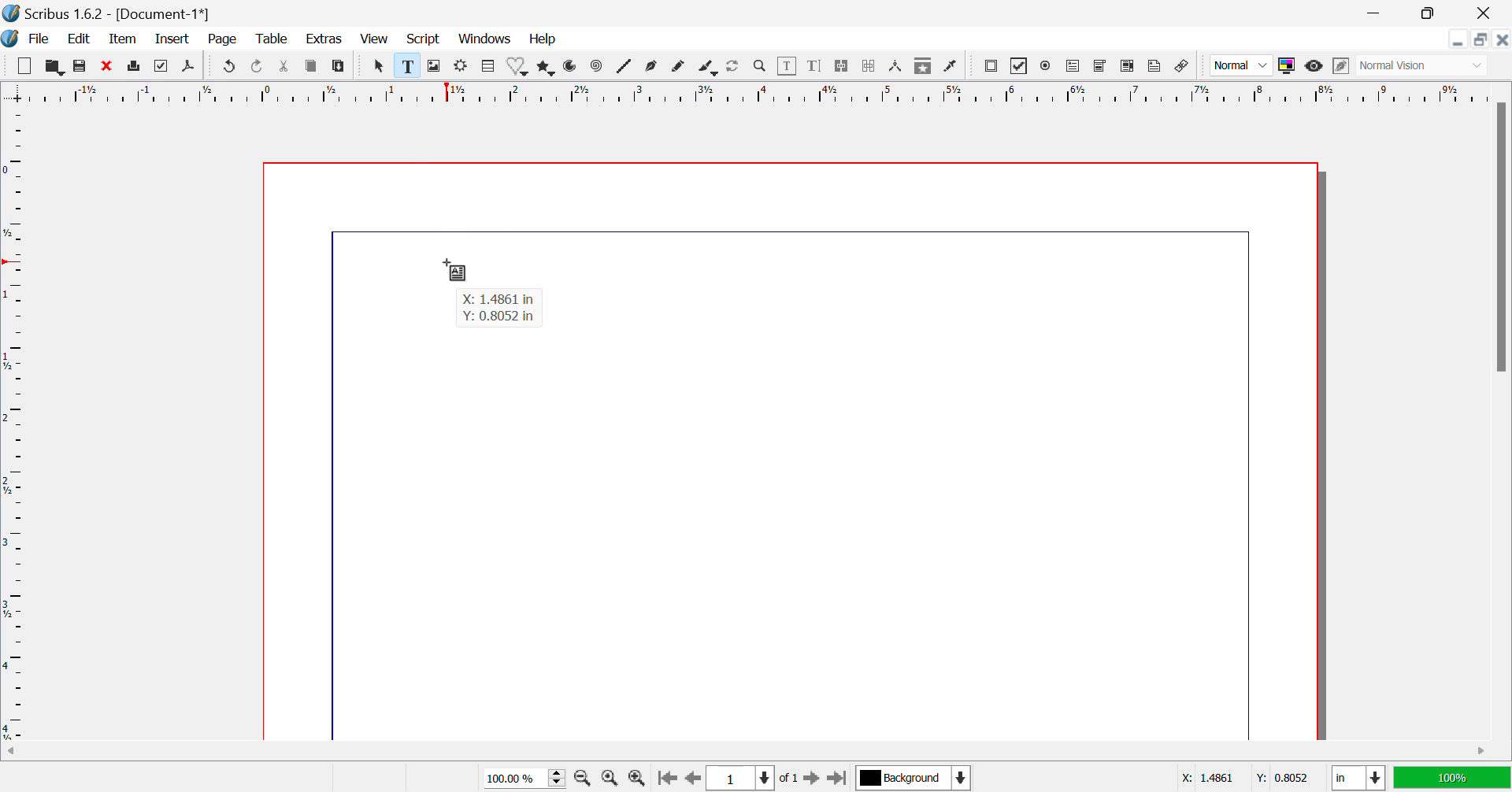 The height and width of the screenshot is (792, 1512). I want to click on in, so click(1354, 778).